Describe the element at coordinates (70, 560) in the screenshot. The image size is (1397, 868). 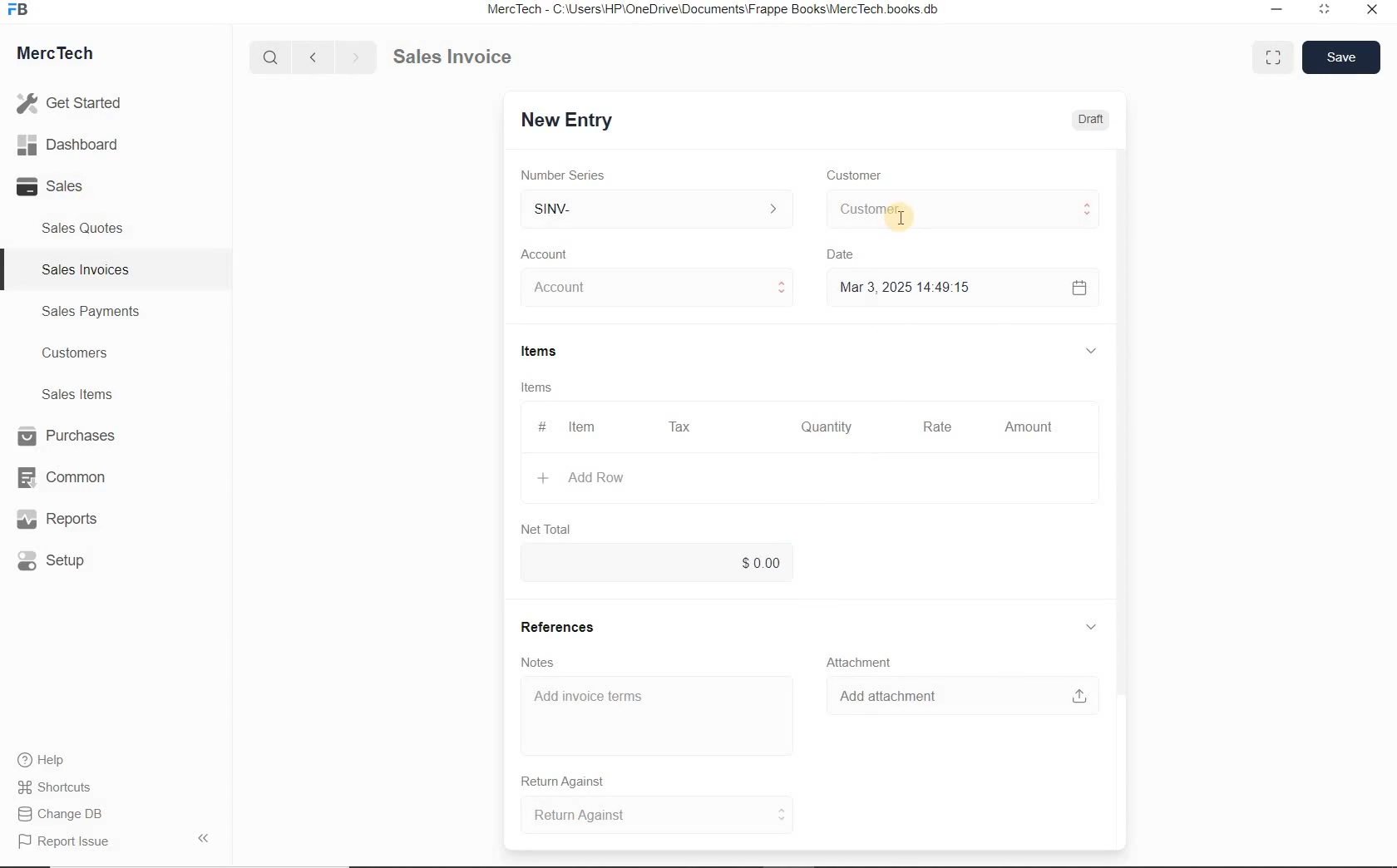
I see `Setup` at that location.